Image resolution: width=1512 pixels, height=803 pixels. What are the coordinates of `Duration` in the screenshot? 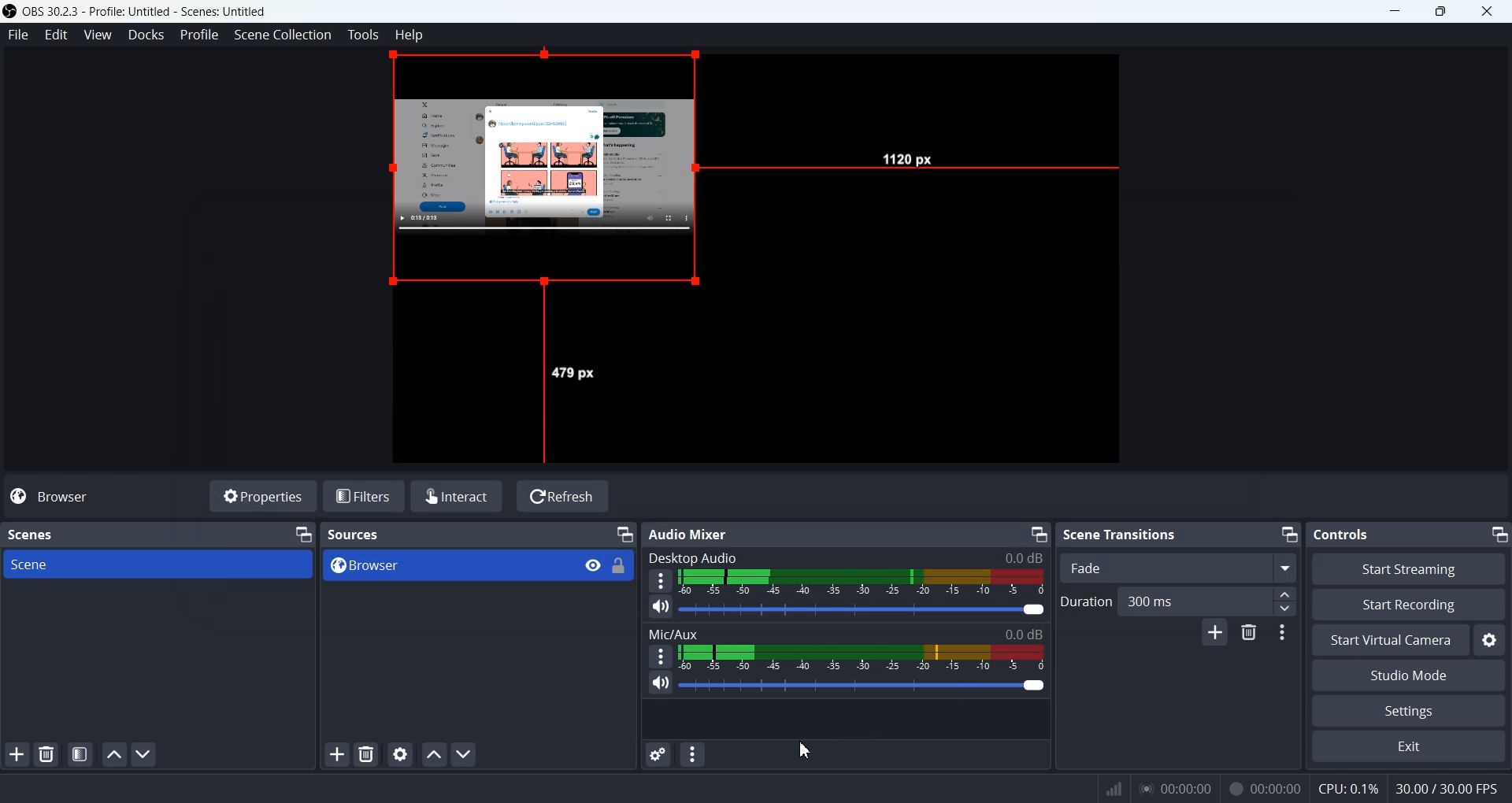 It's located at (1085, 601).